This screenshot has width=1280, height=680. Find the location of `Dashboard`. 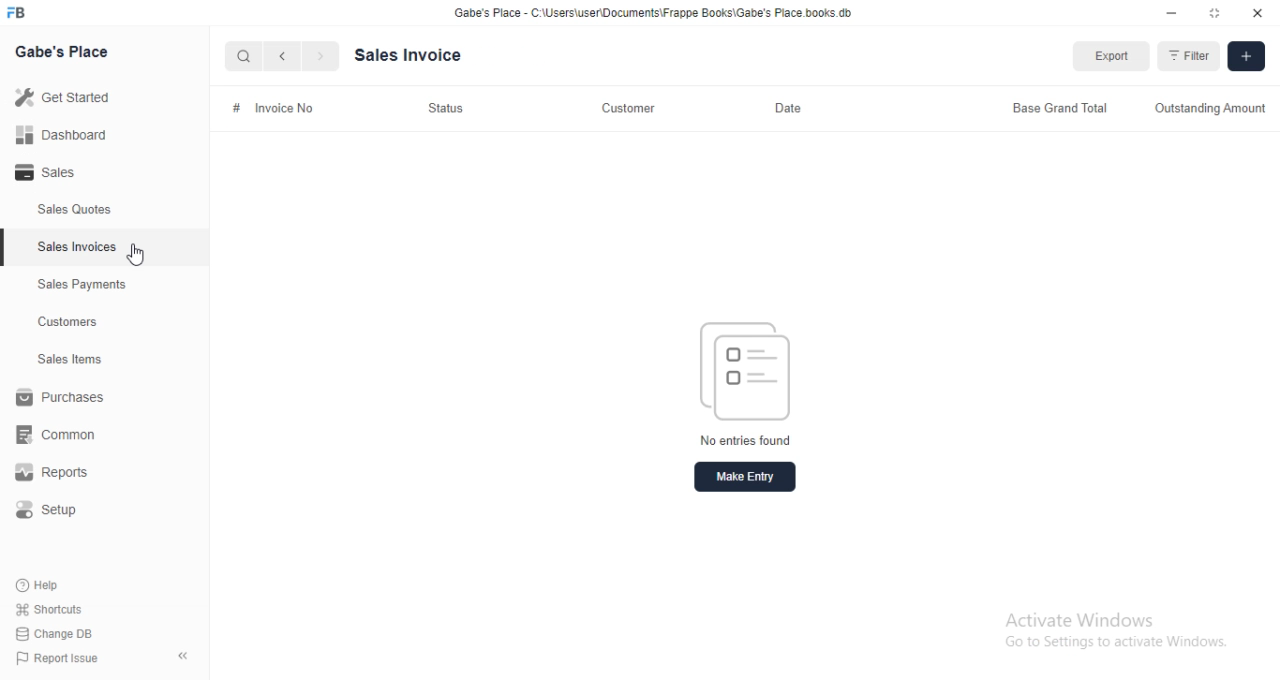

Dashboard is located at coordinates (61, 135).